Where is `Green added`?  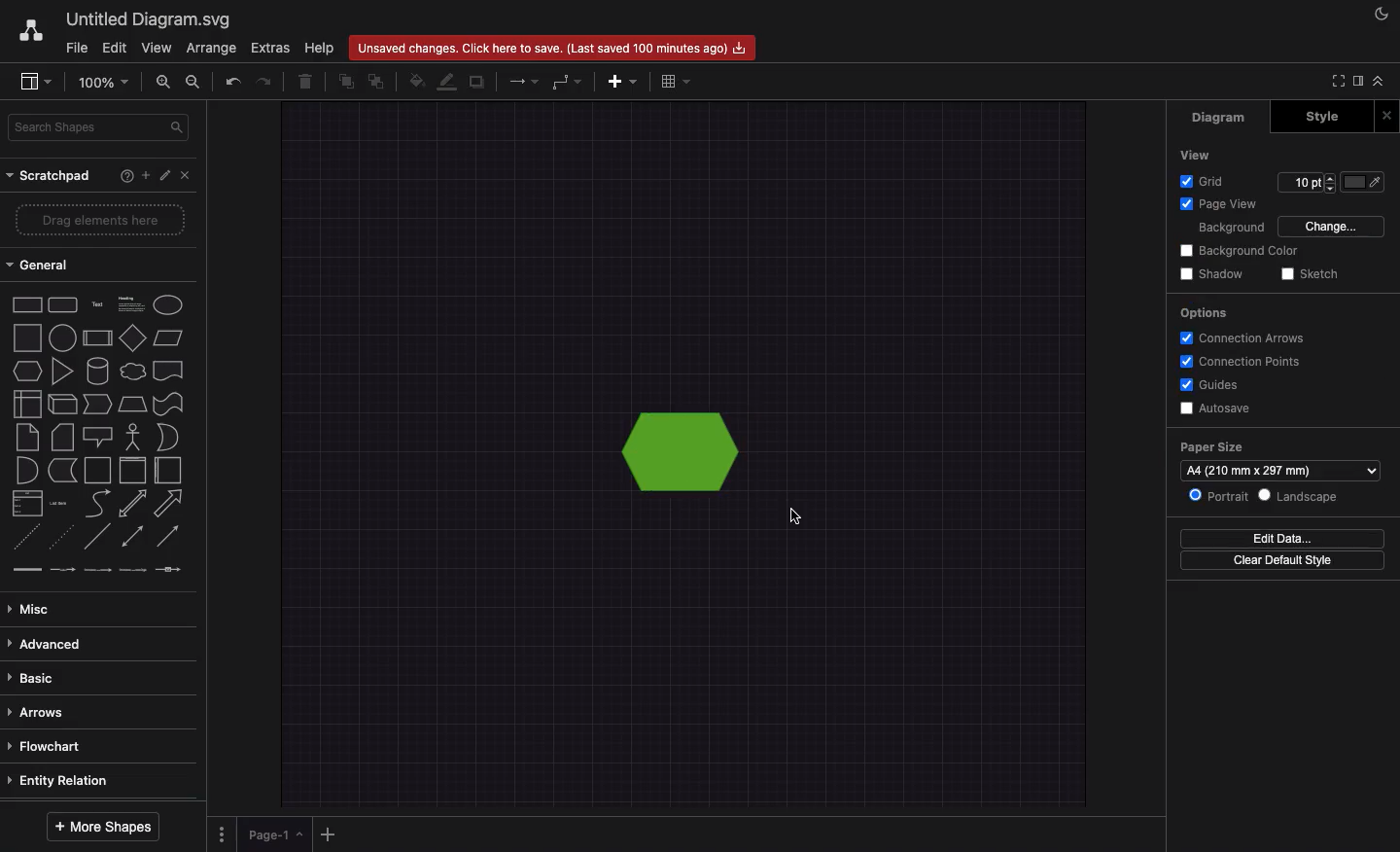
Green added is located at coordinates (686, 450).